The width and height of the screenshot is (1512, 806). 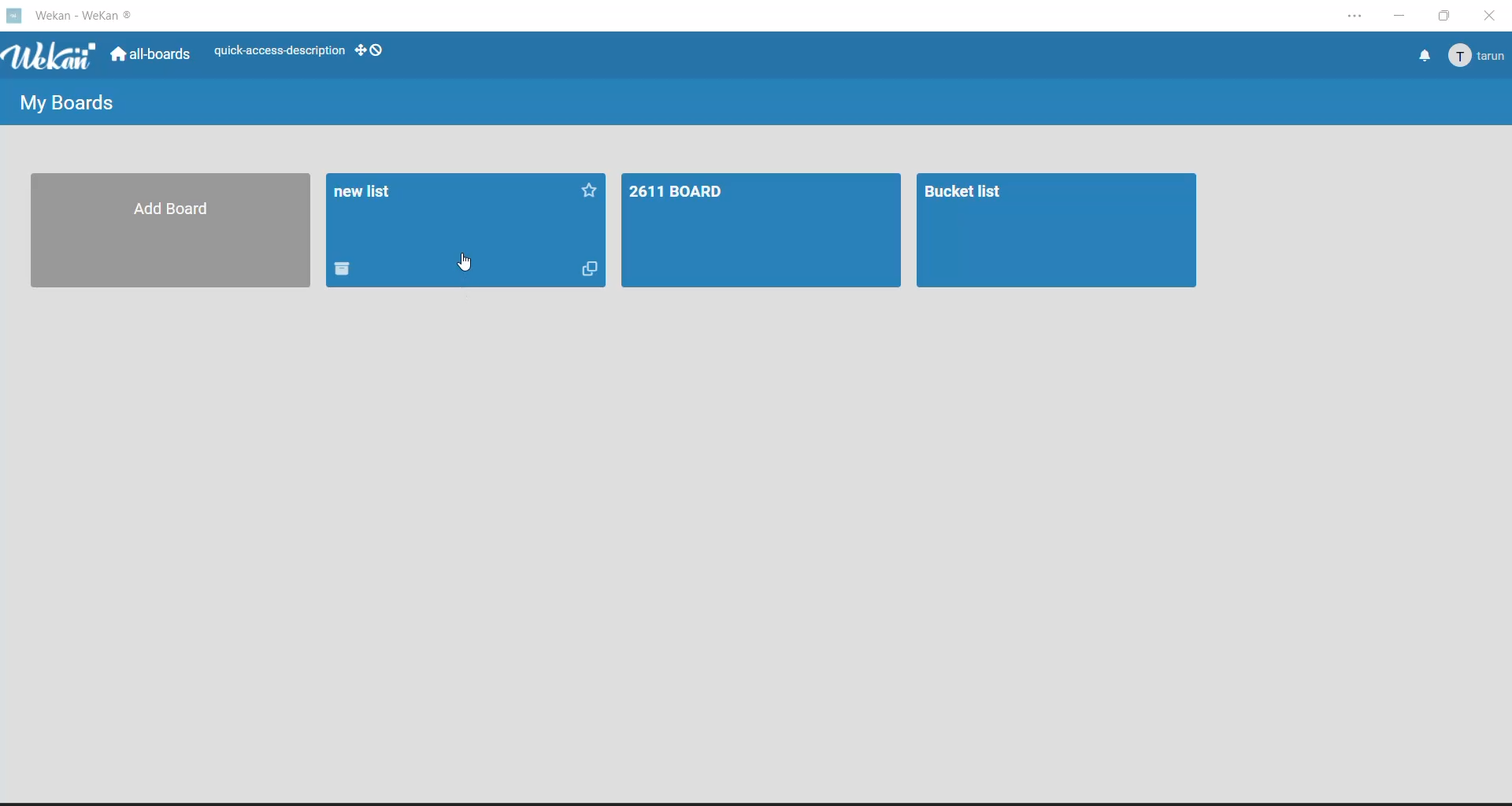 What do you see at coordinates (1359, 17) in the screenshot?
I see `settings` at bounding box center [1359, 17].